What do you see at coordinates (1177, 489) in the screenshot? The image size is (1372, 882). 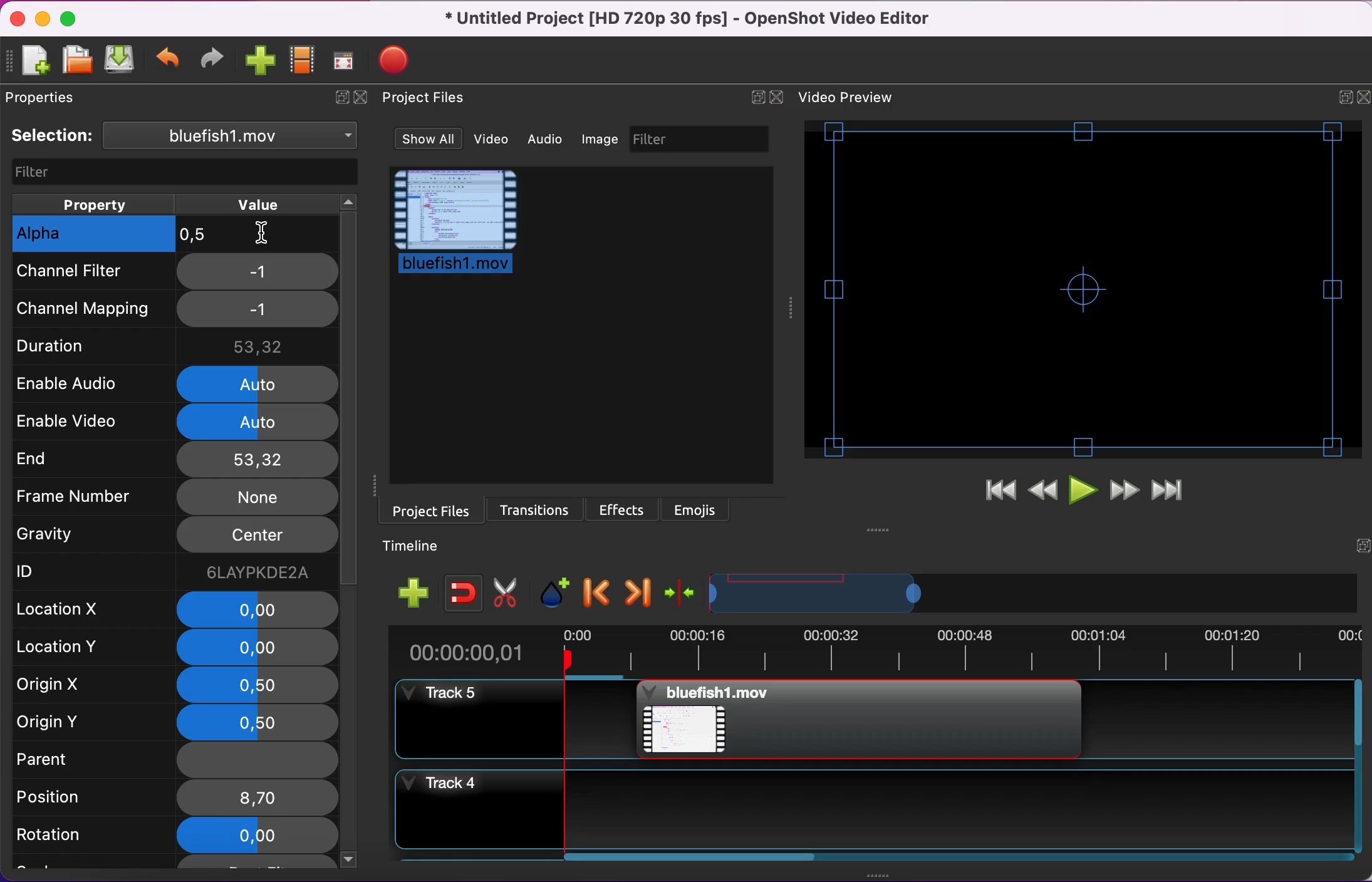 I see `jump to end` at bounding box center [1177, 489].